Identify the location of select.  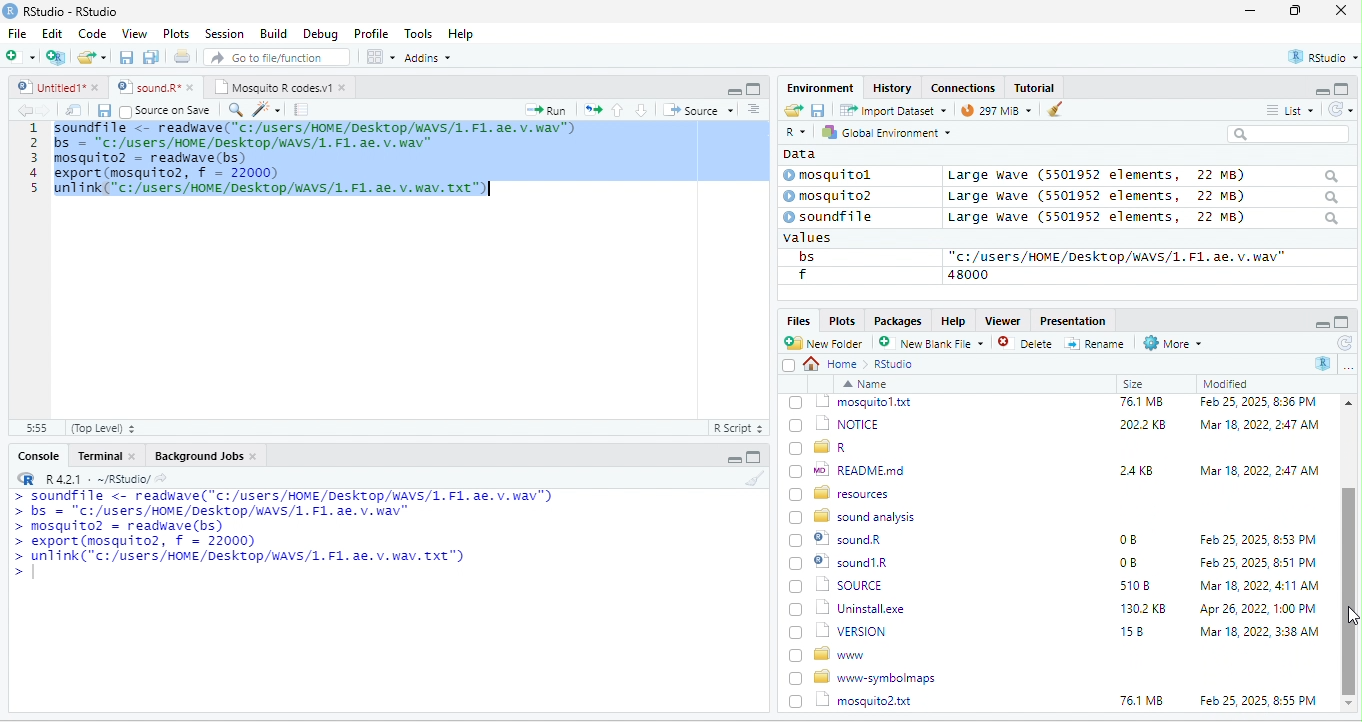
(791, 369).